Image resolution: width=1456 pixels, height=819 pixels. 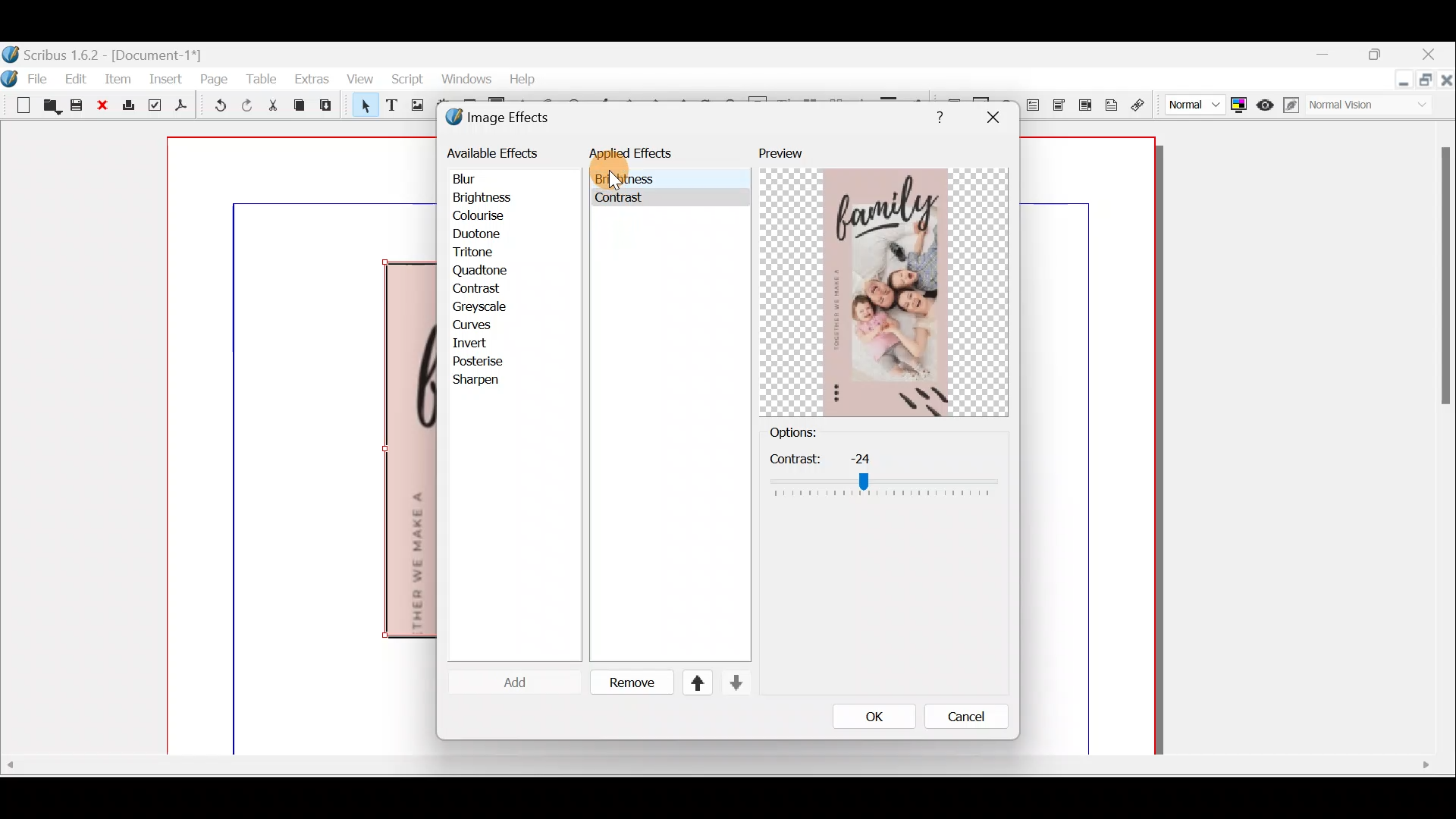 I want to click on Cancel, so click(x=956, y=720).